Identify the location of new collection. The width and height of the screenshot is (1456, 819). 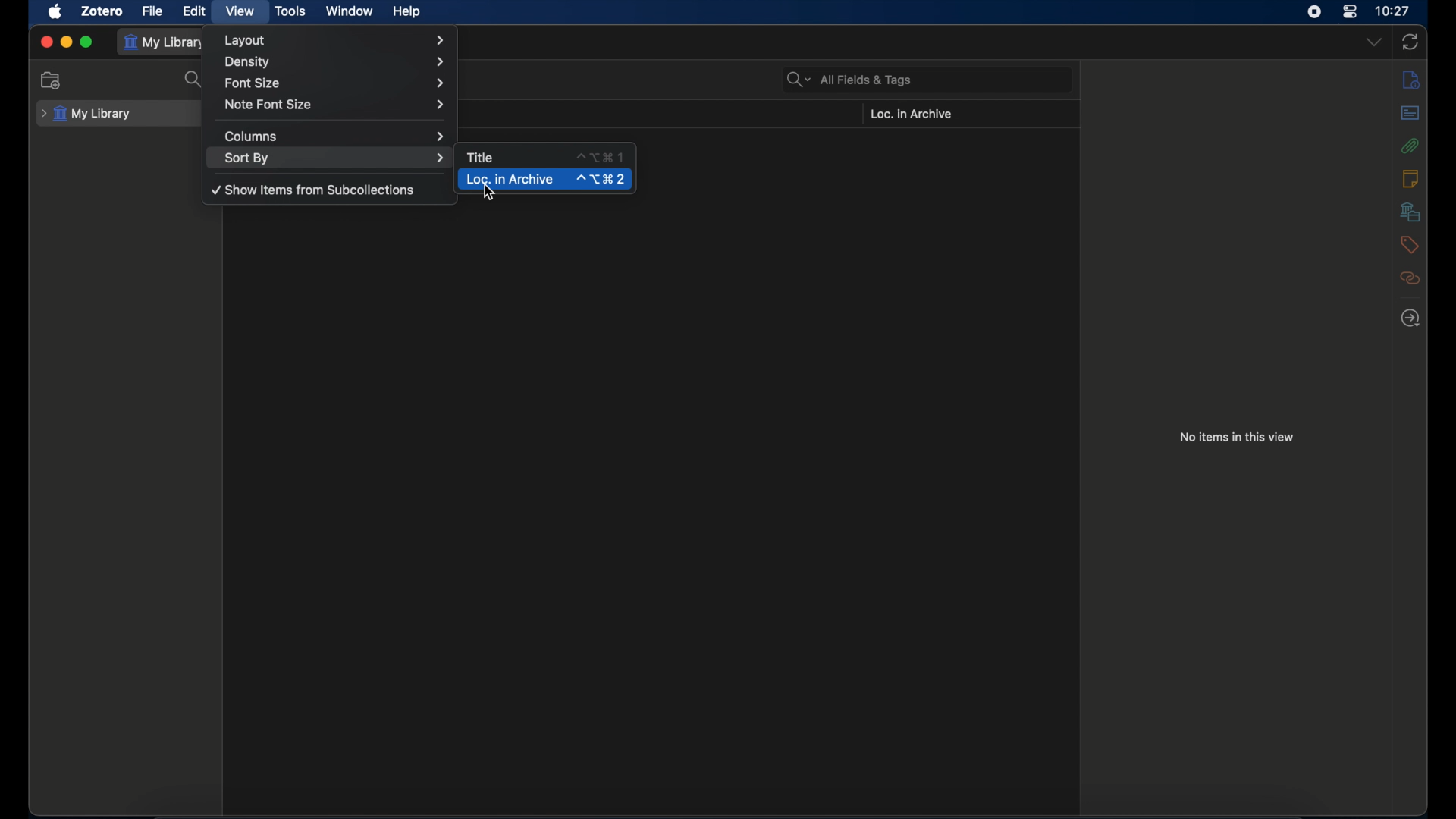
(51, 80).